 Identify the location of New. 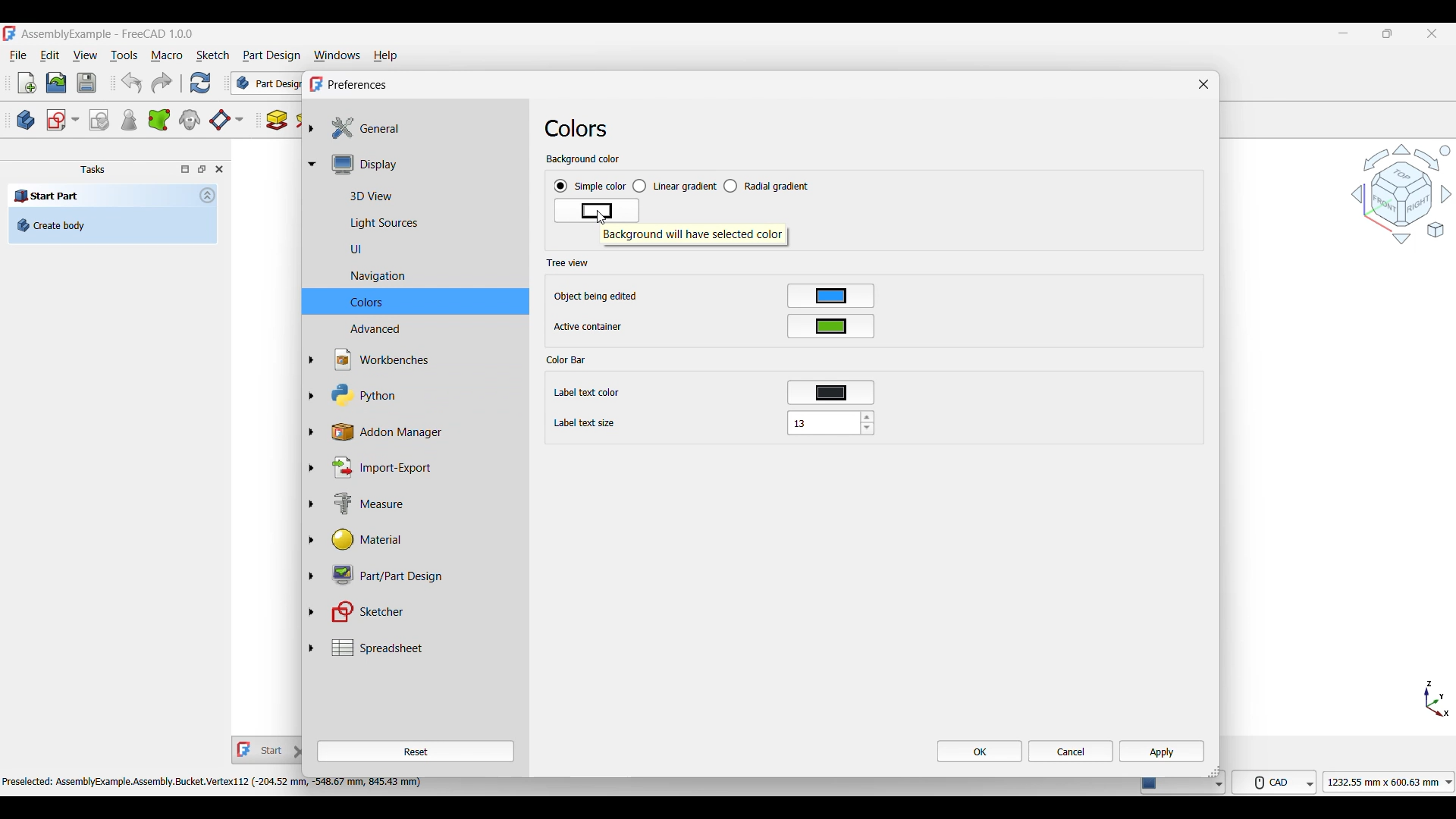
(27, 83).